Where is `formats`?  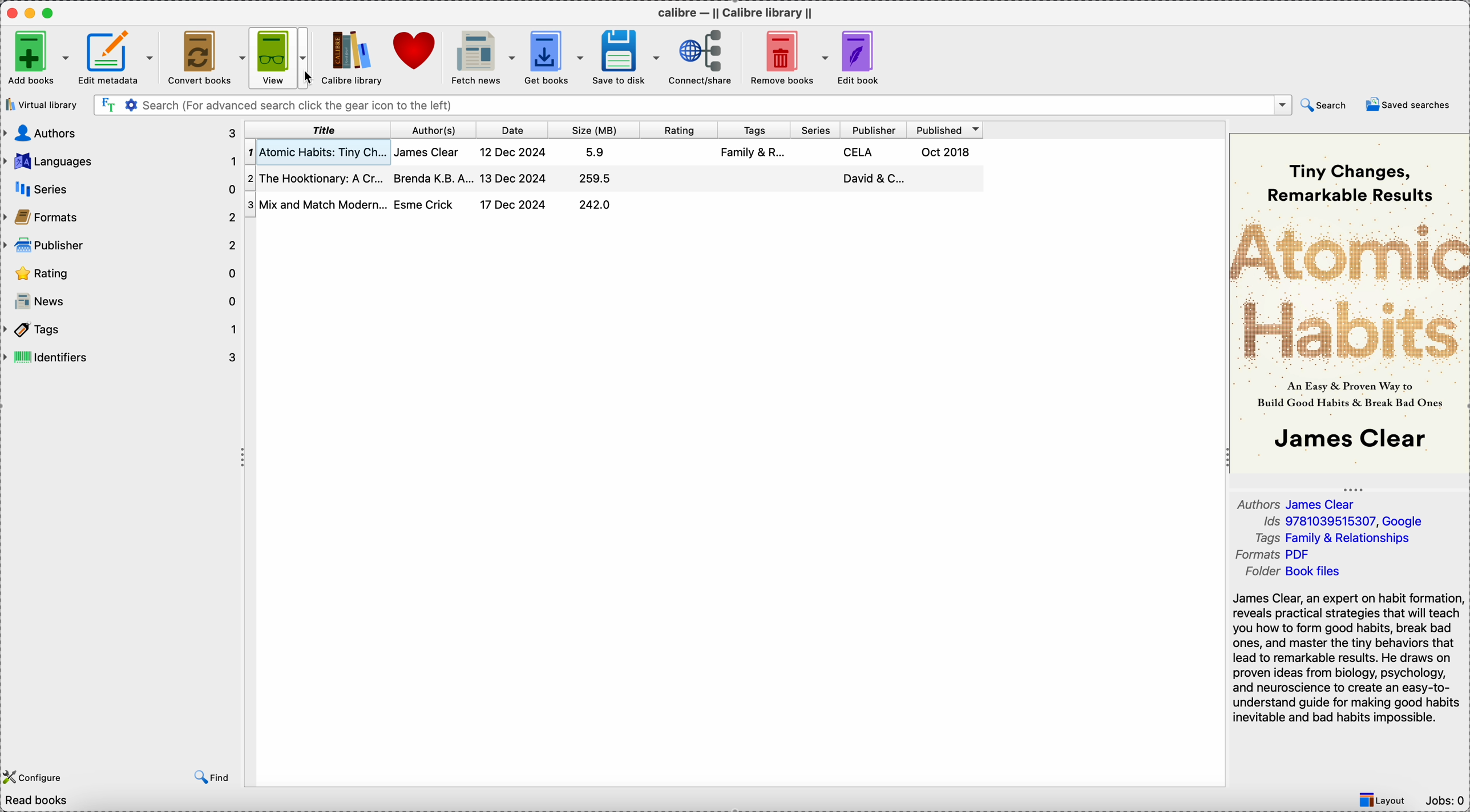
formats is located at coordinates (120, 216).